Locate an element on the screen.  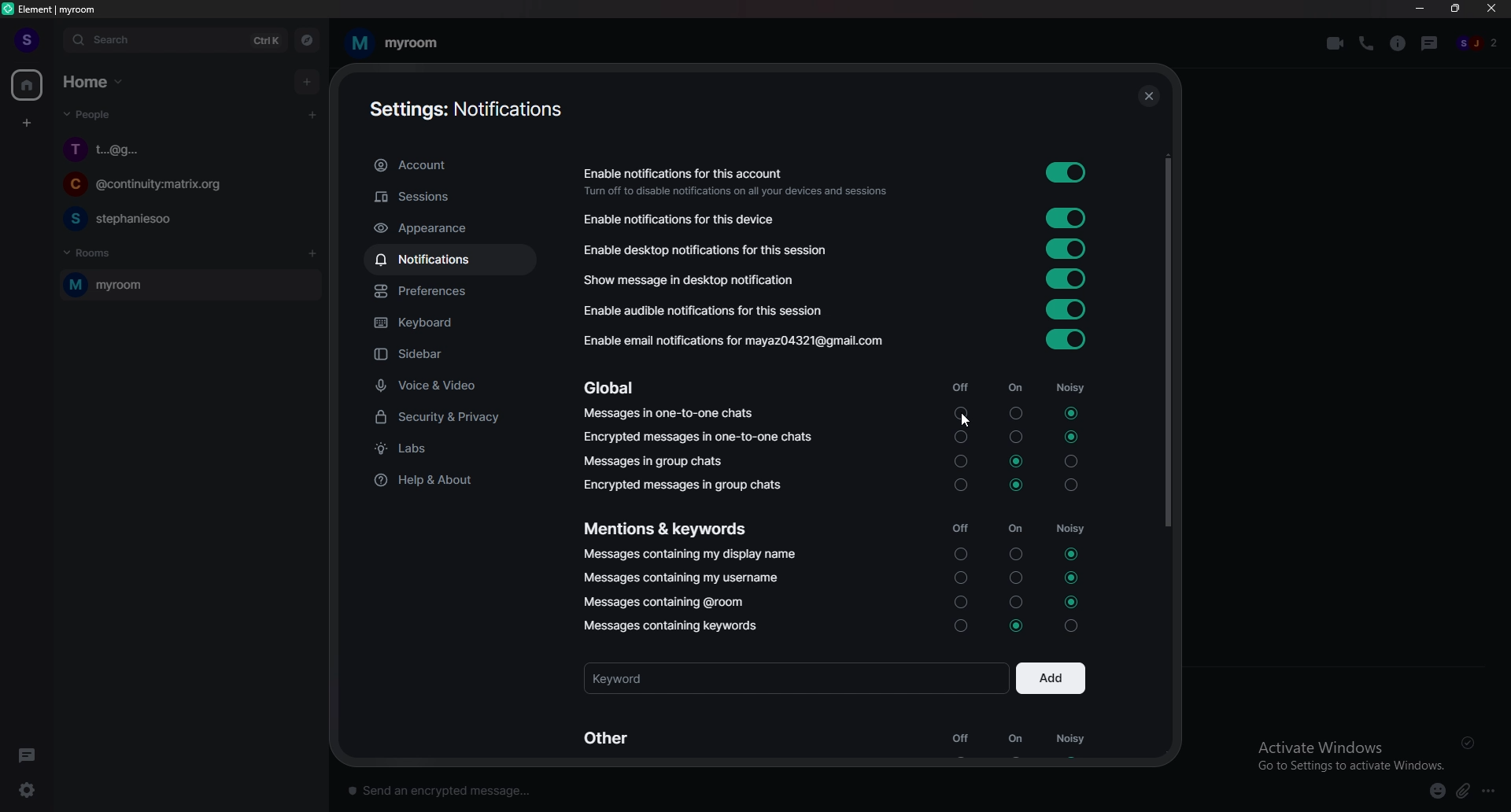
toggle is located at coordinates (1069, 340).